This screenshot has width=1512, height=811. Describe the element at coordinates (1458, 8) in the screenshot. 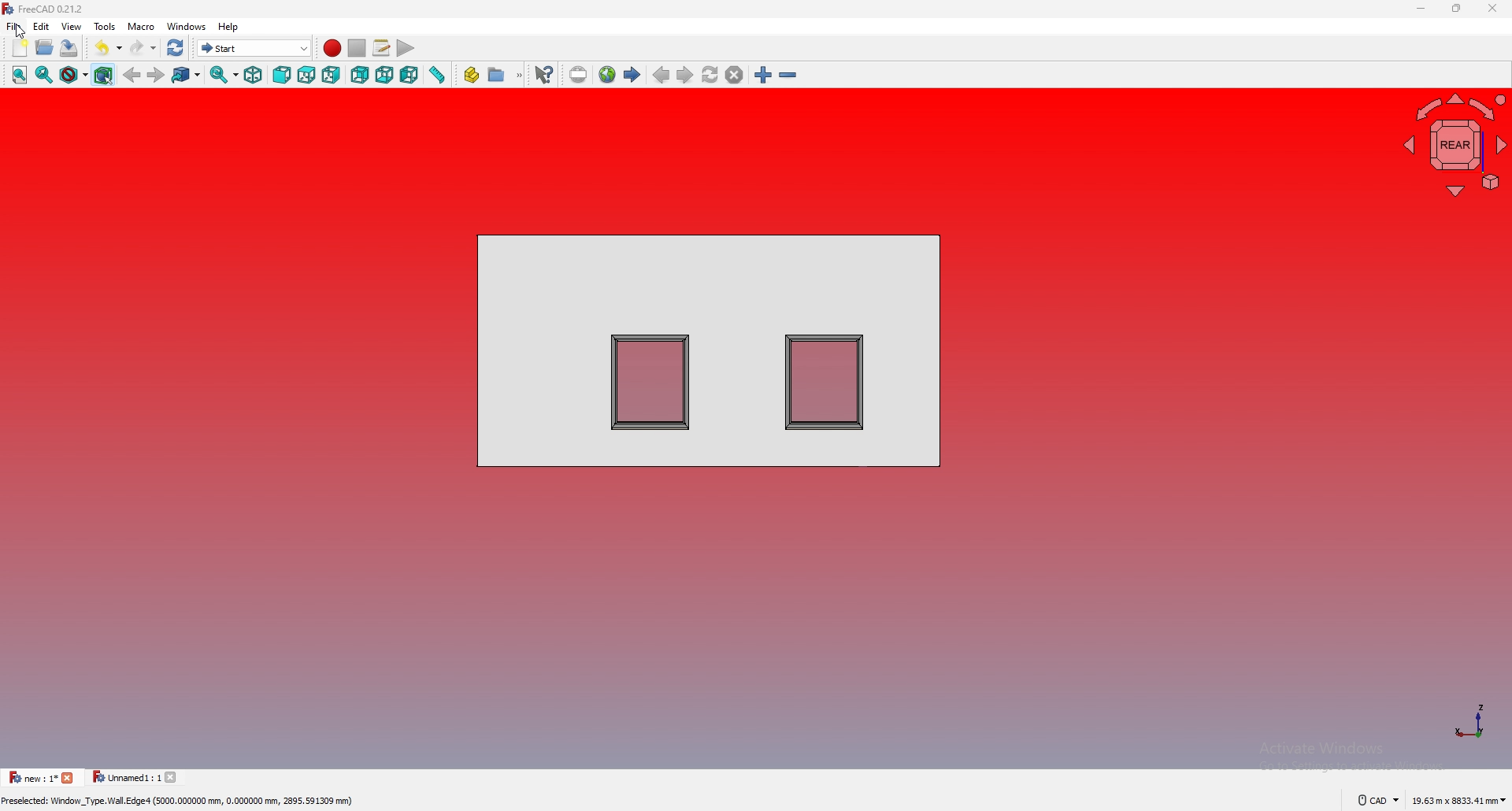

I see `resize` at that location.